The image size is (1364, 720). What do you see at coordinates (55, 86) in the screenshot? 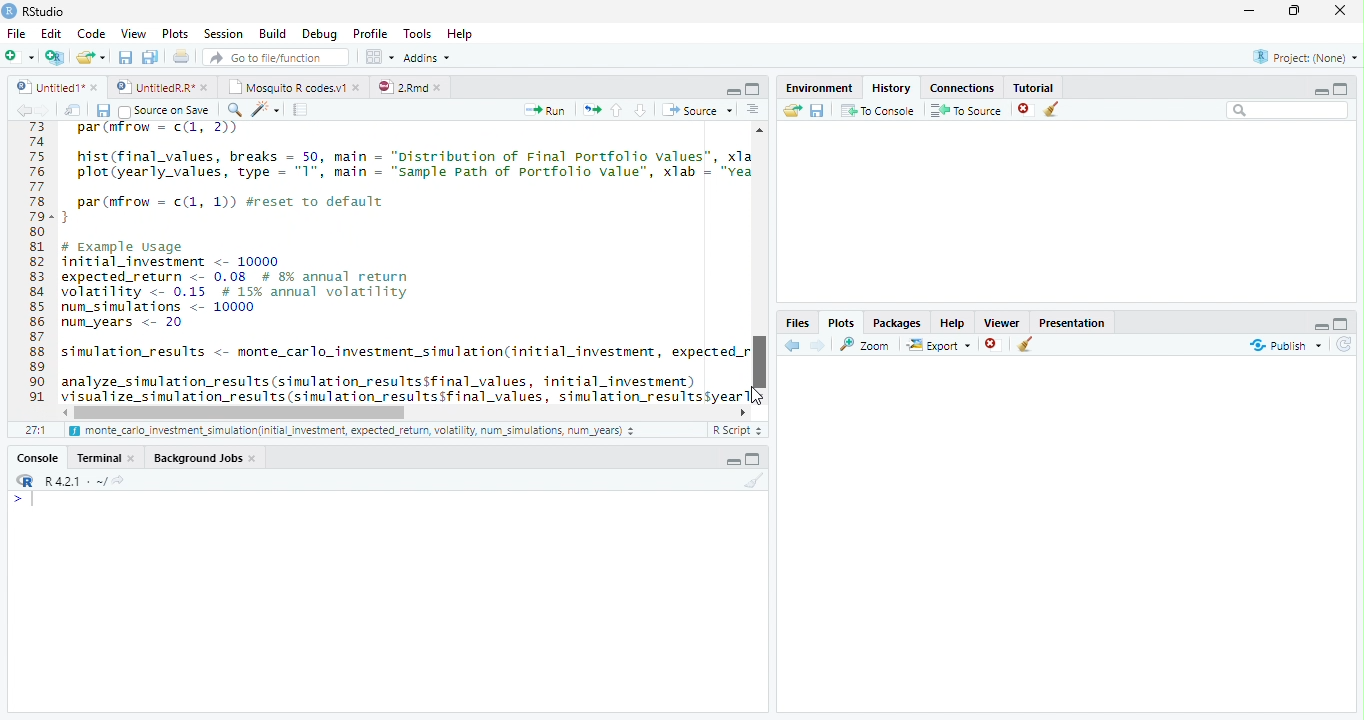
I see `Untited1*` at bounding box center [55, 86].